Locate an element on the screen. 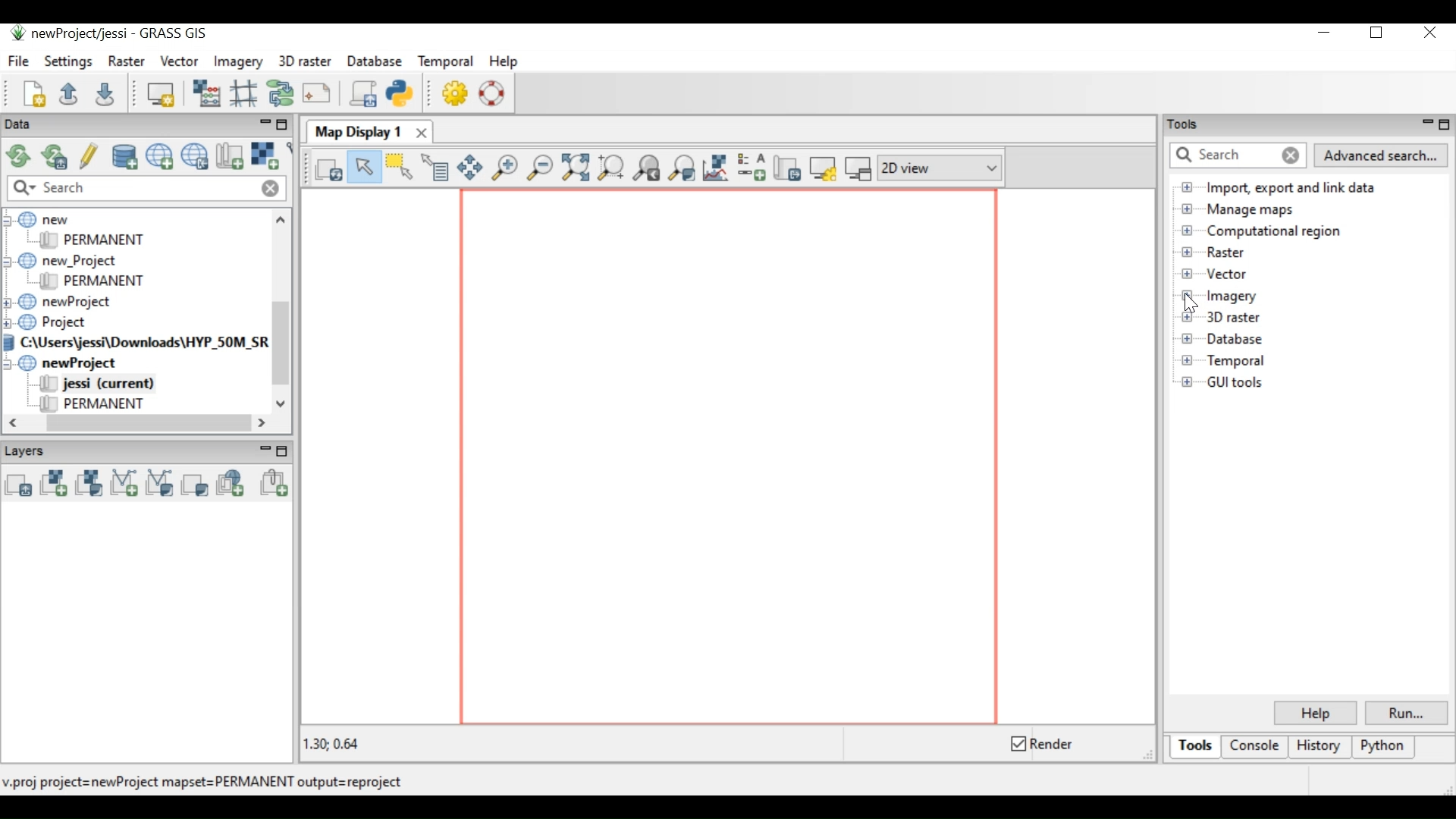 The image size is (1456, 819). Georectifier is located at coordinates (243, 93).